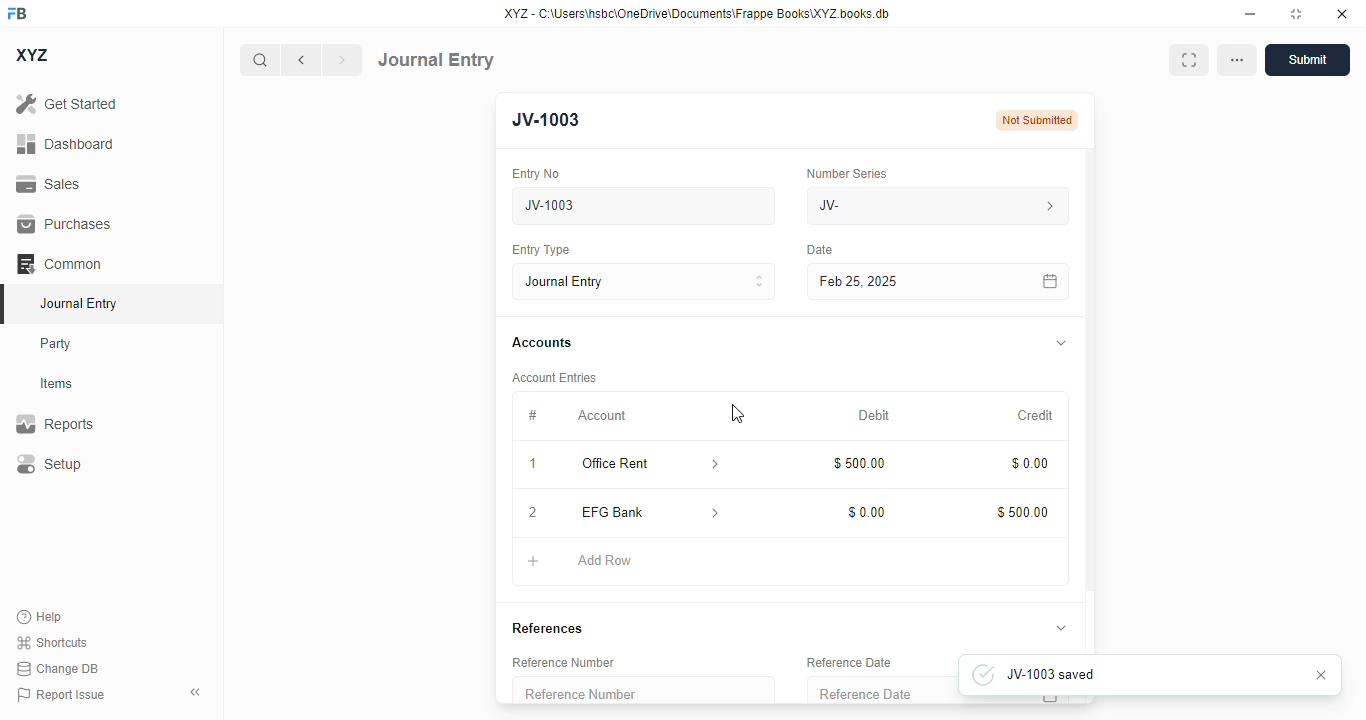 The image size is (1366, 720). Describe the element at coordinates (846, 173) in the screenshot. I see `number series` at that location.